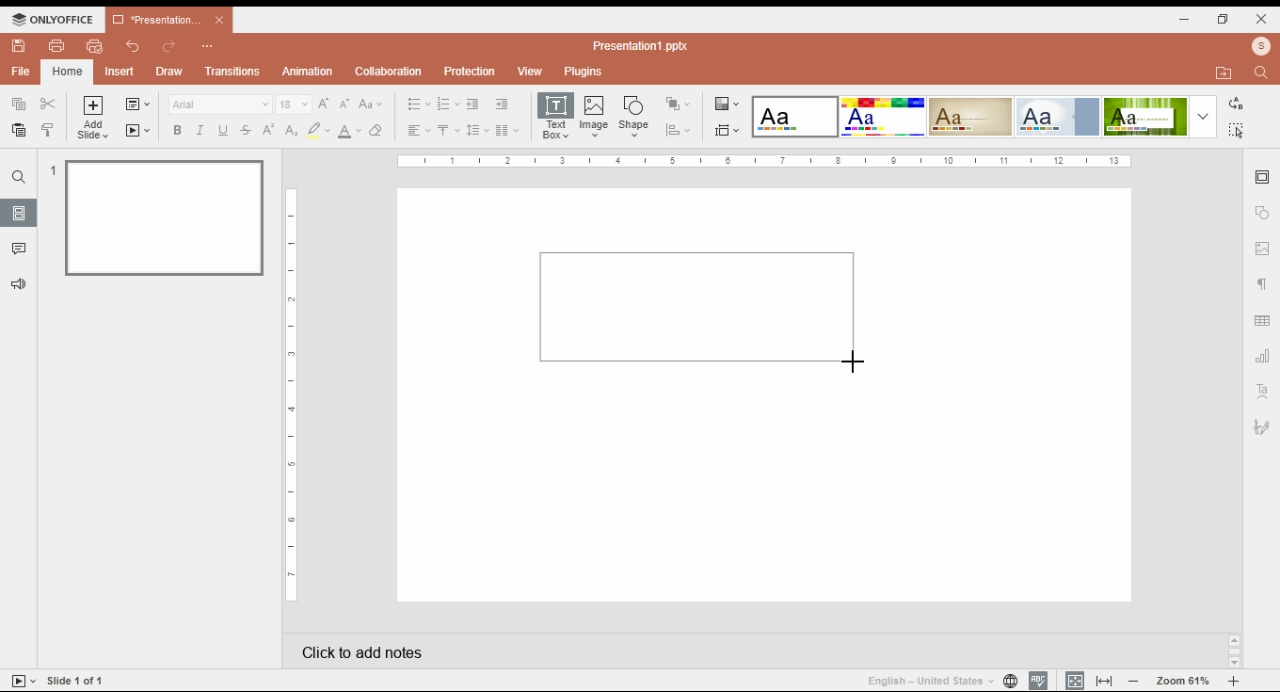  I want to click on slide size, so click(727, 131).